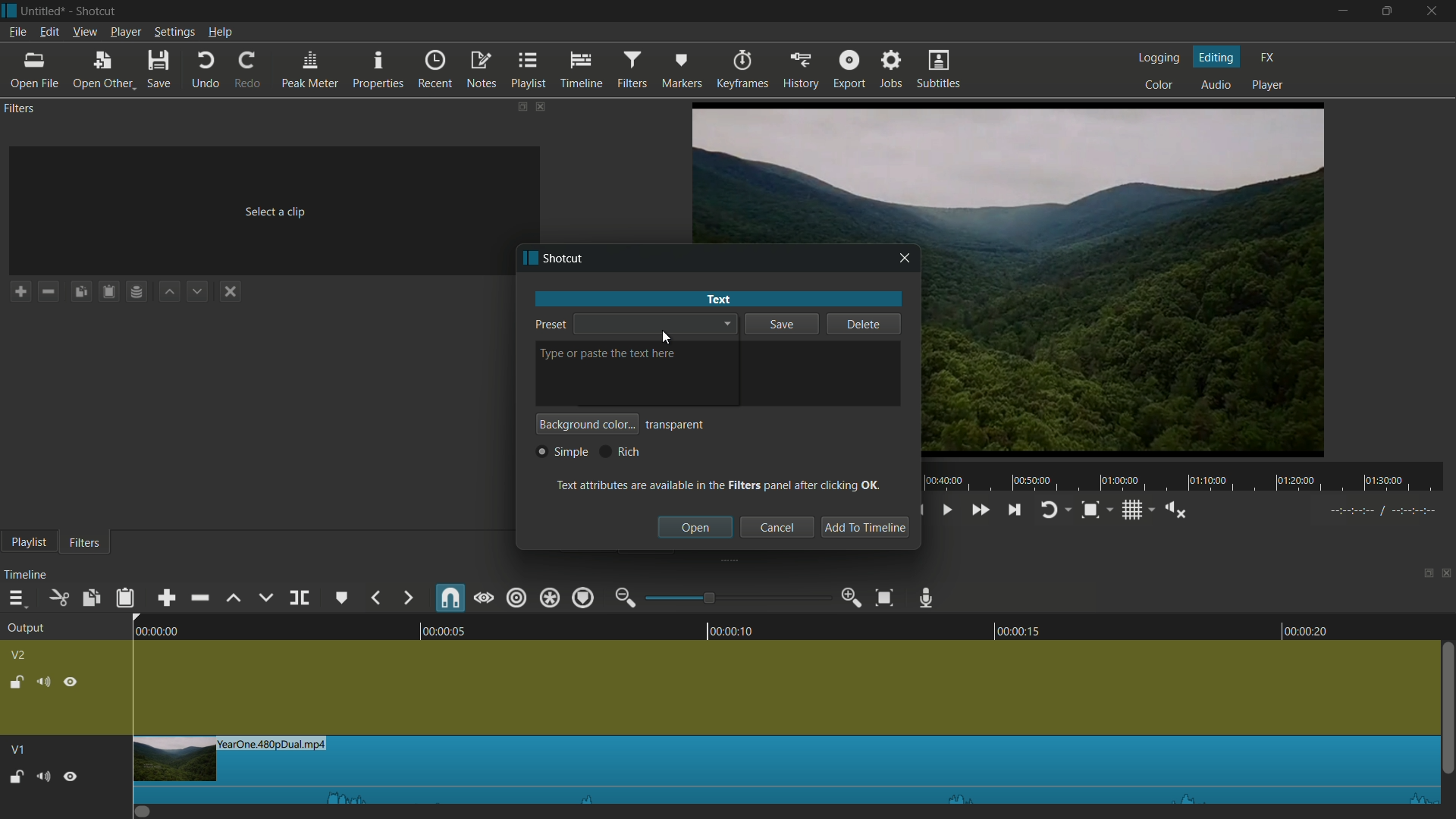 The height and width of the screenshot is (819, 1456). What do you see at coordinates (1189, 477) in the screenshot?
I see `time` at bounding box center [1189, 477].